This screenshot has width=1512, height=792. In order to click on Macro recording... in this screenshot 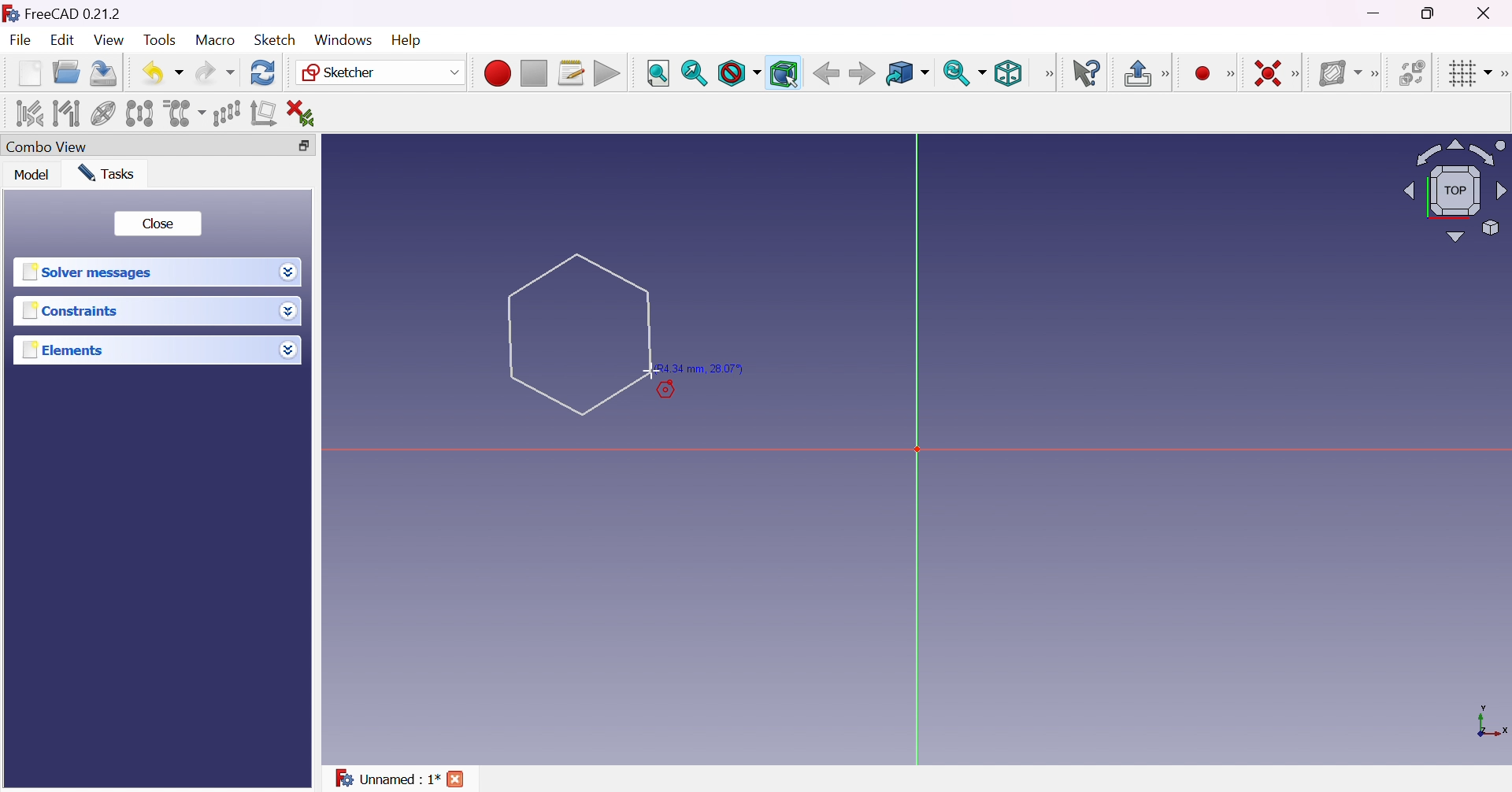, I will do `click(497, 73)`.